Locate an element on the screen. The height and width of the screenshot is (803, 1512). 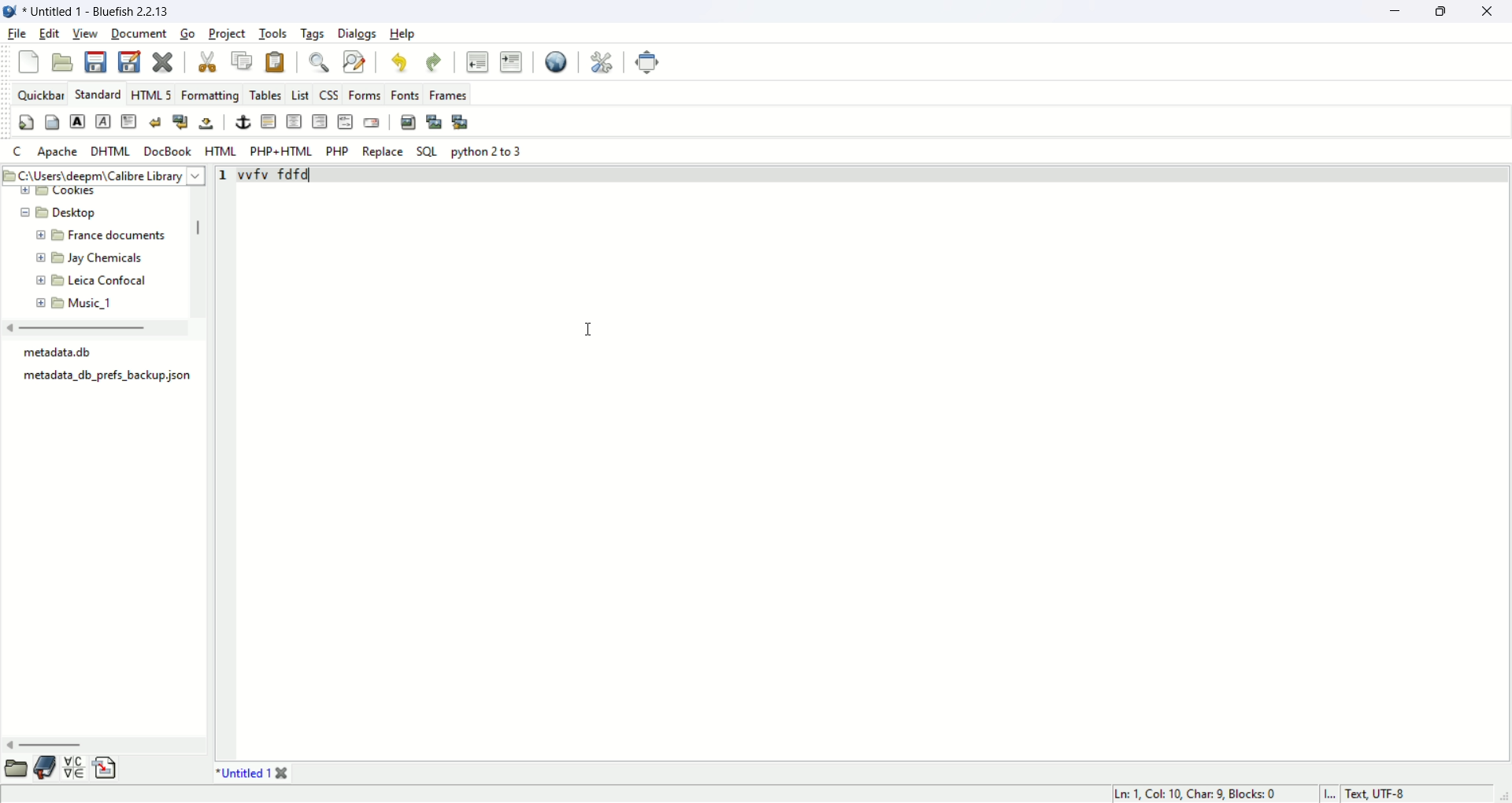
SQL is located at coordinates (427, 151).